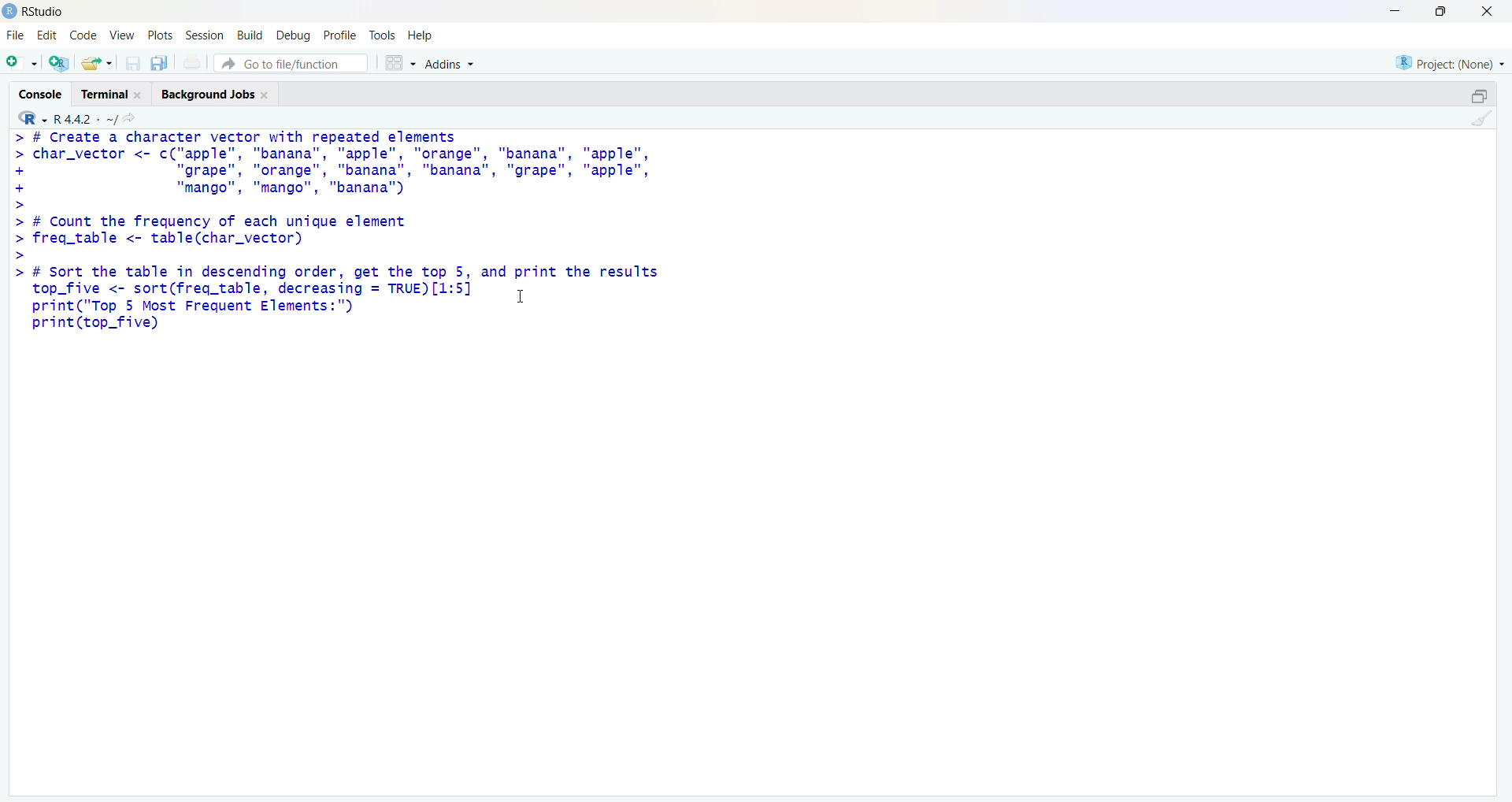 This screenshot has height=802, width=1512. I want to click on Cursor, so click(527, 295).